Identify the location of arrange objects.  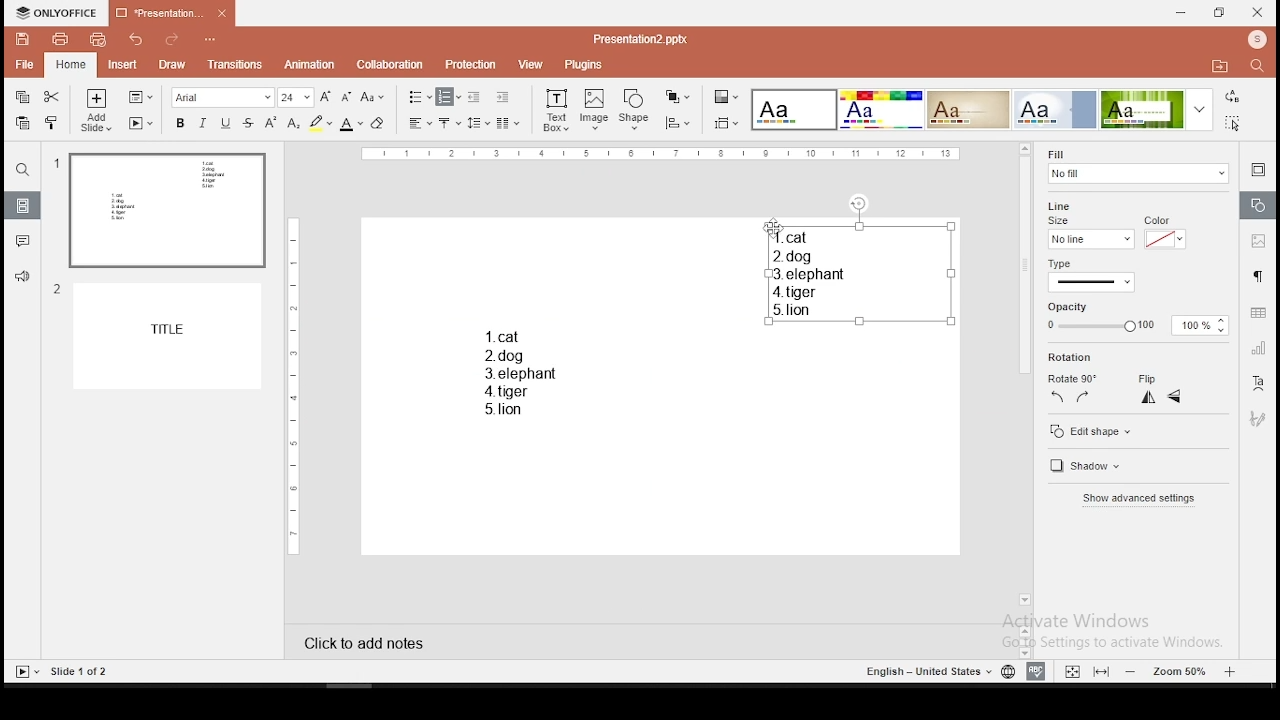
(677, 98).